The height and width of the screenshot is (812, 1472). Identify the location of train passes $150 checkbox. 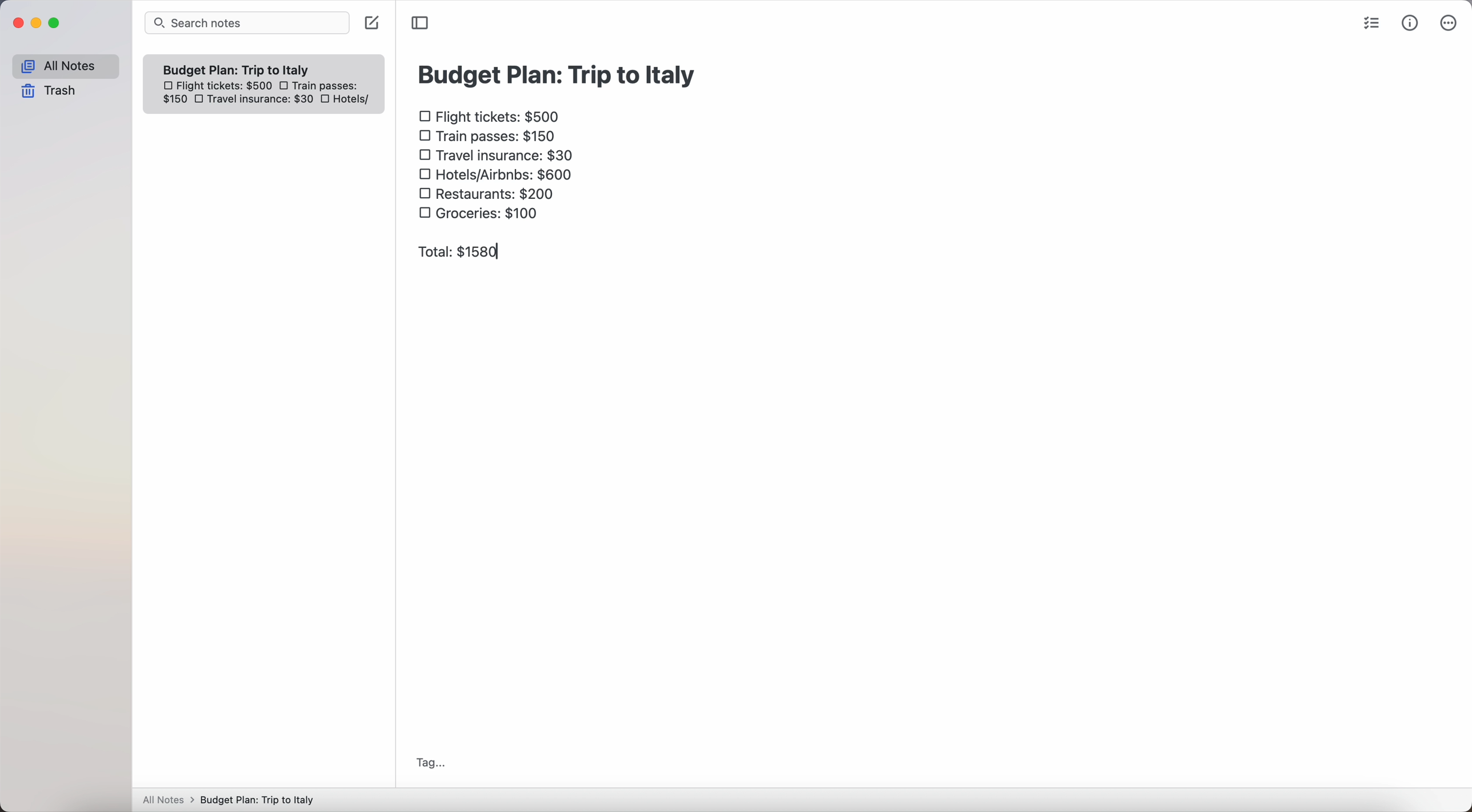
(489, 139).